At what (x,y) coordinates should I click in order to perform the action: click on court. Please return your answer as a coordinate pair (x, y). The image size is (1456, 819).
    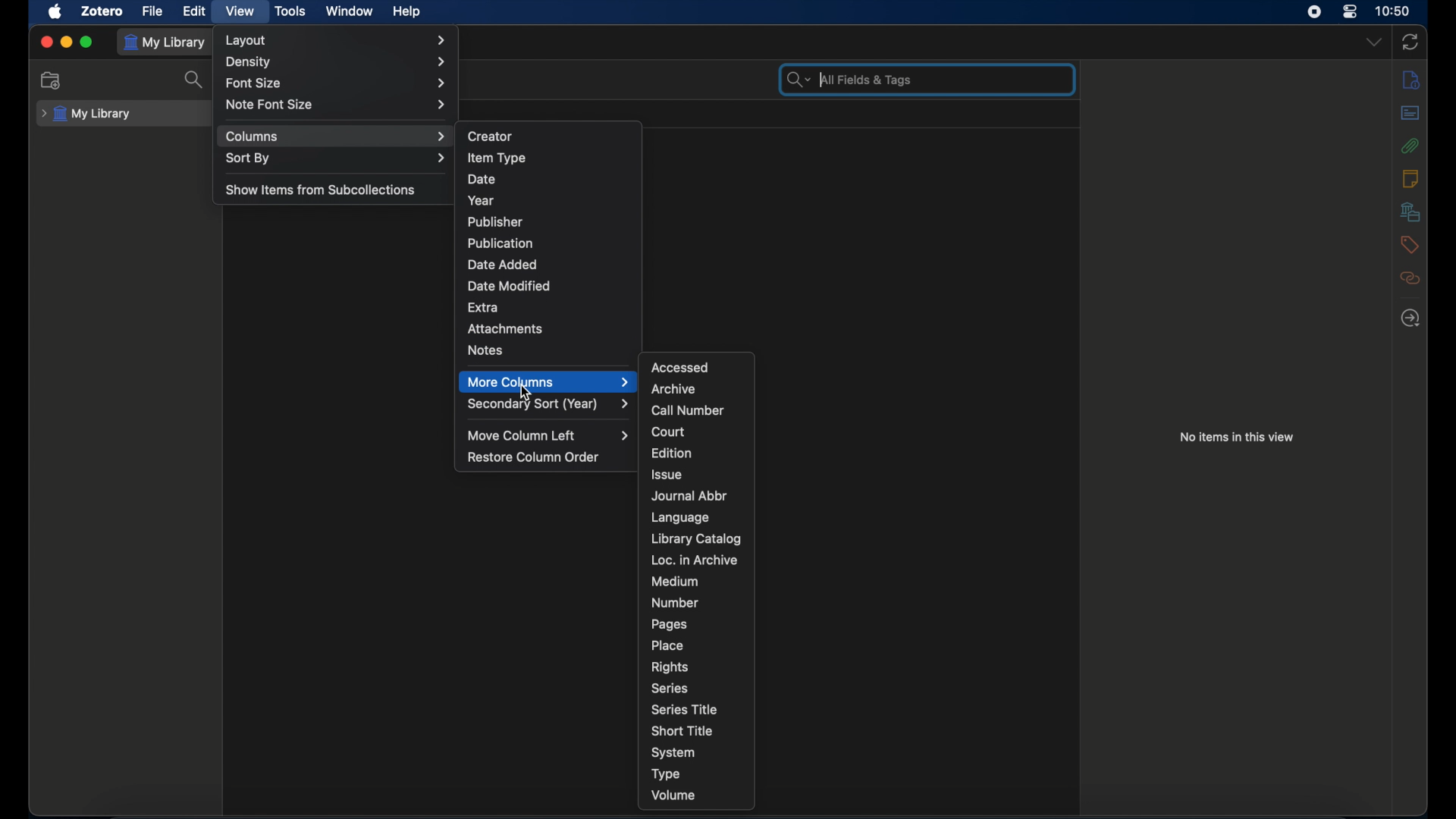
    Looking at the image, I should click on (668, 431).